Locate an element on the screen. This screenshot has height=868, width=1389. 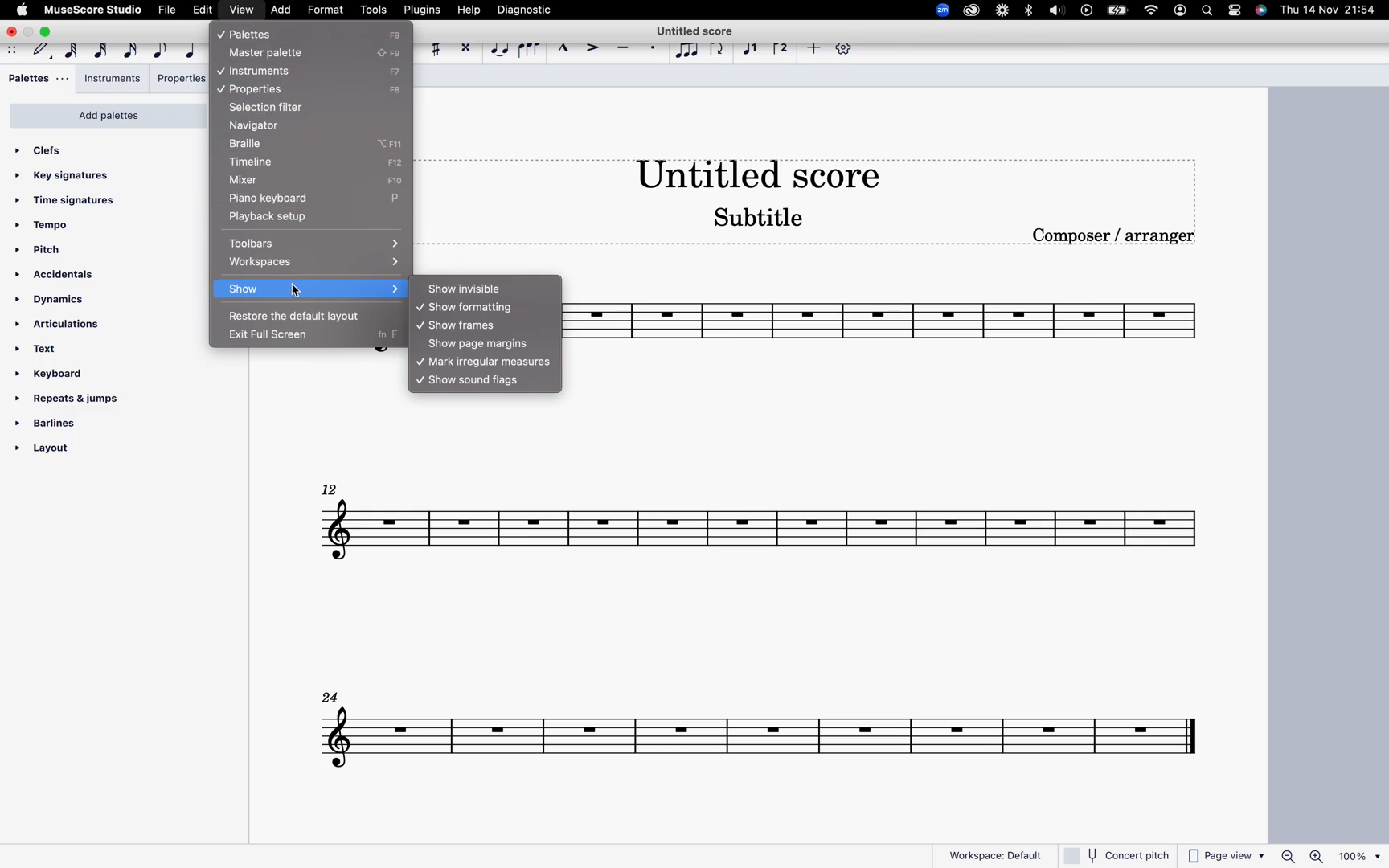
view is located at coordinates (243, 12).